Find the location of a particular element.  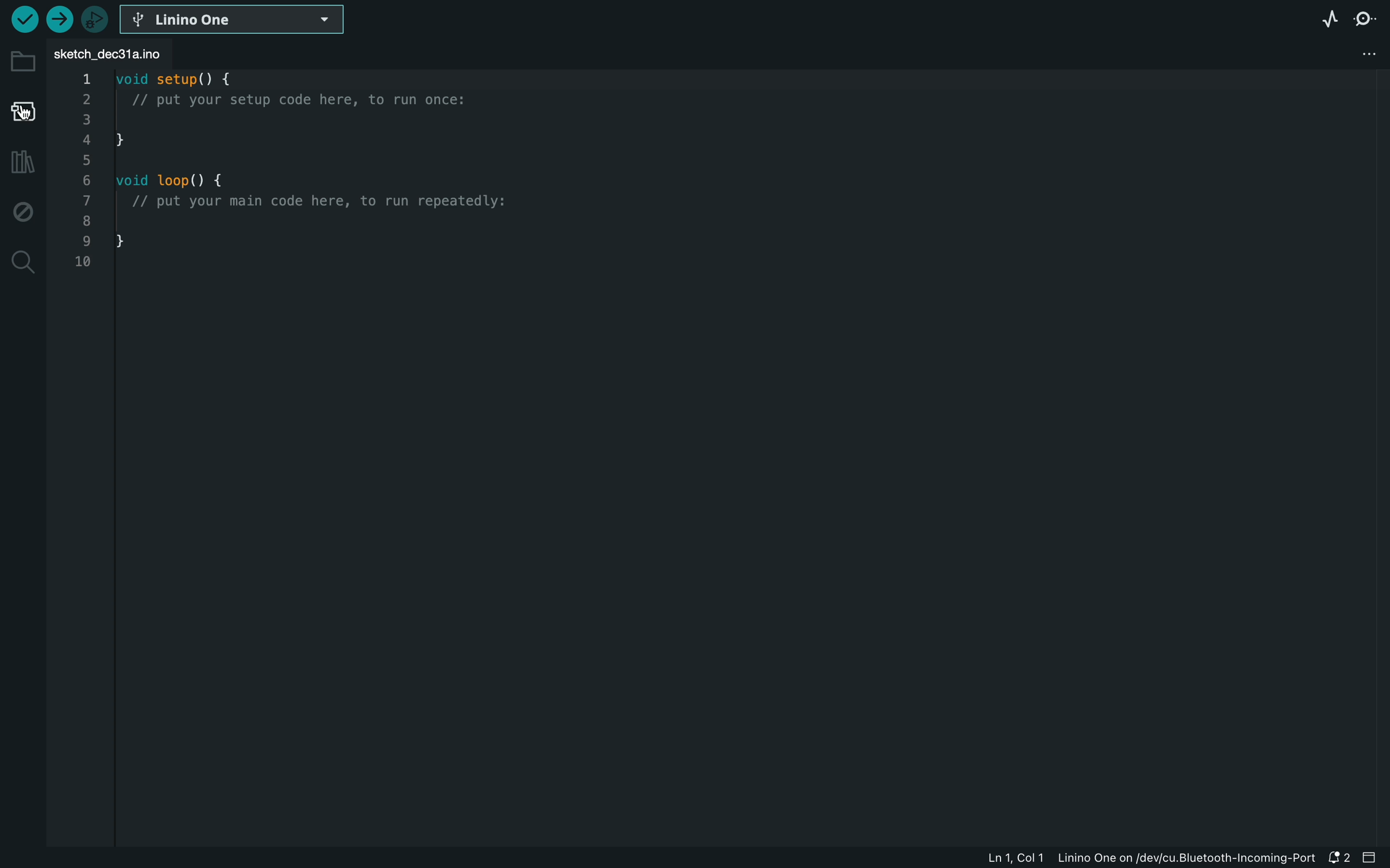

file setting is located at coordinates (1357, 54).